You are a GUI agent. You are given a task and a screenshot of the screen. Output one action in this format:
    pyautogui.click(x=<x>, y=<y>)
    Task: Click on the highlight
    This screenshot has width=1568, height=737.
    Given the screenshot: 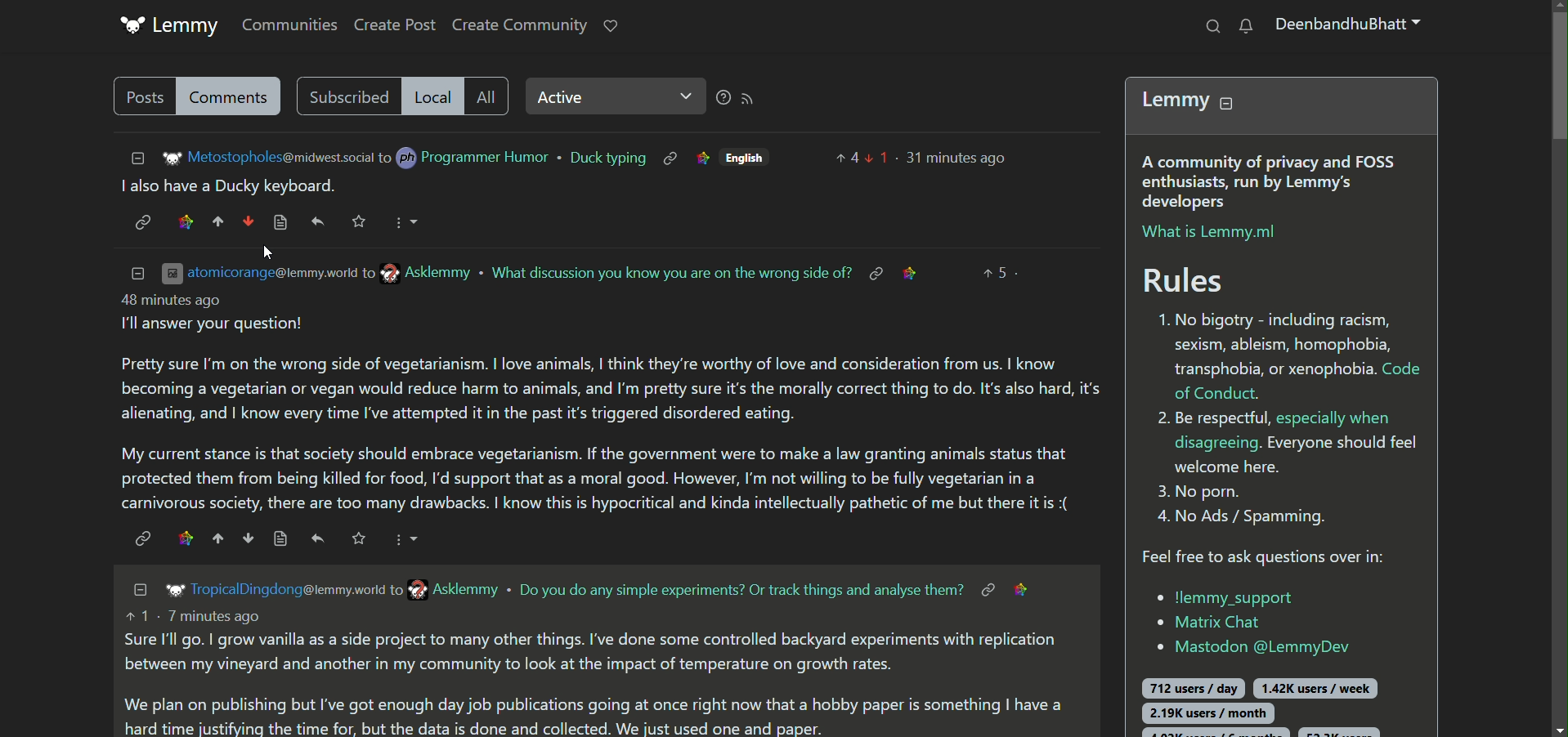 What is the action you would take?
    pyautogui.click(x=1028, y=588)
    